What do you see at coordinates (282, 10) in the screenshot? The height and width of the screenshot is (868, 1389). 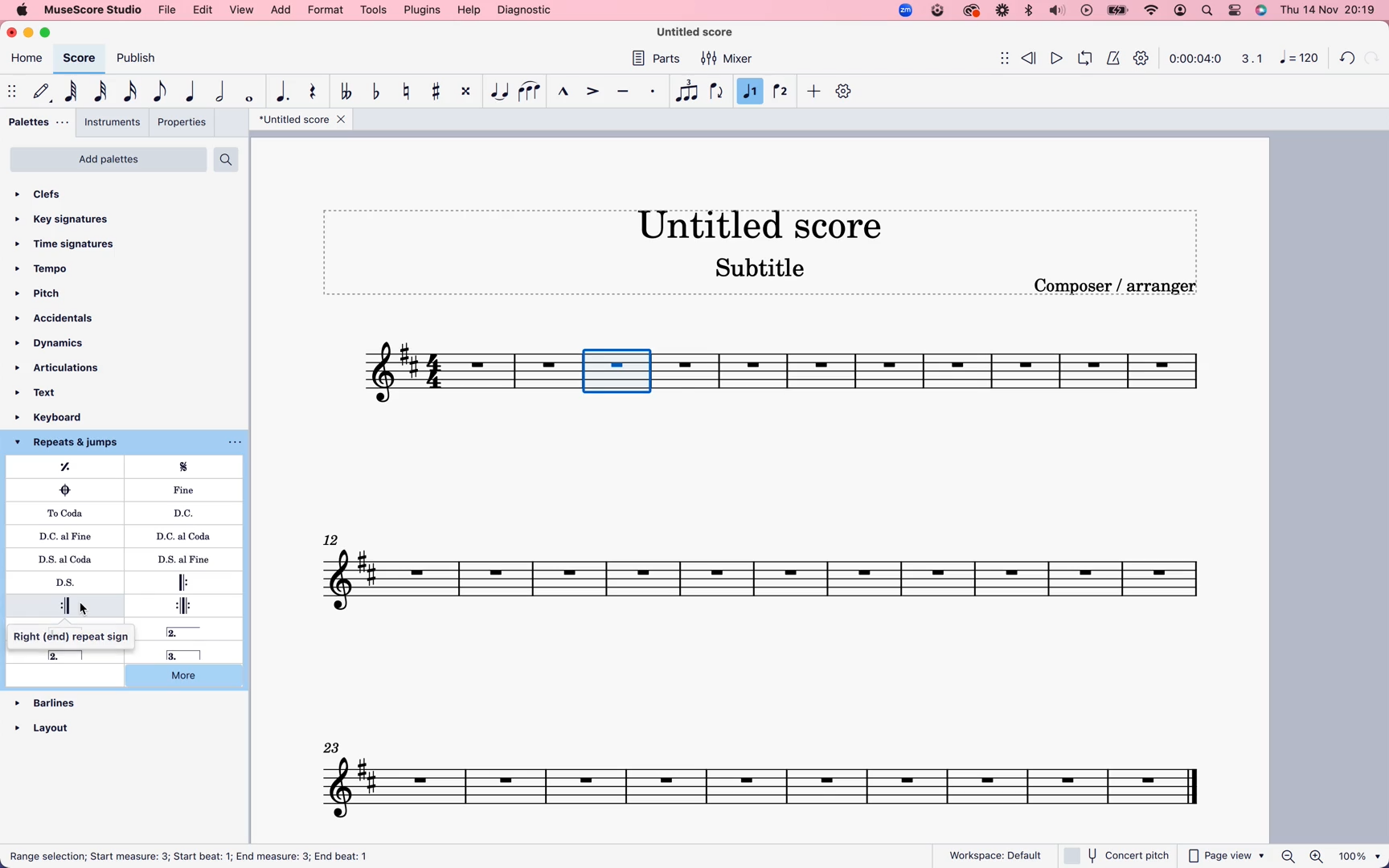 I see `add` at bounding box center [282, 10].